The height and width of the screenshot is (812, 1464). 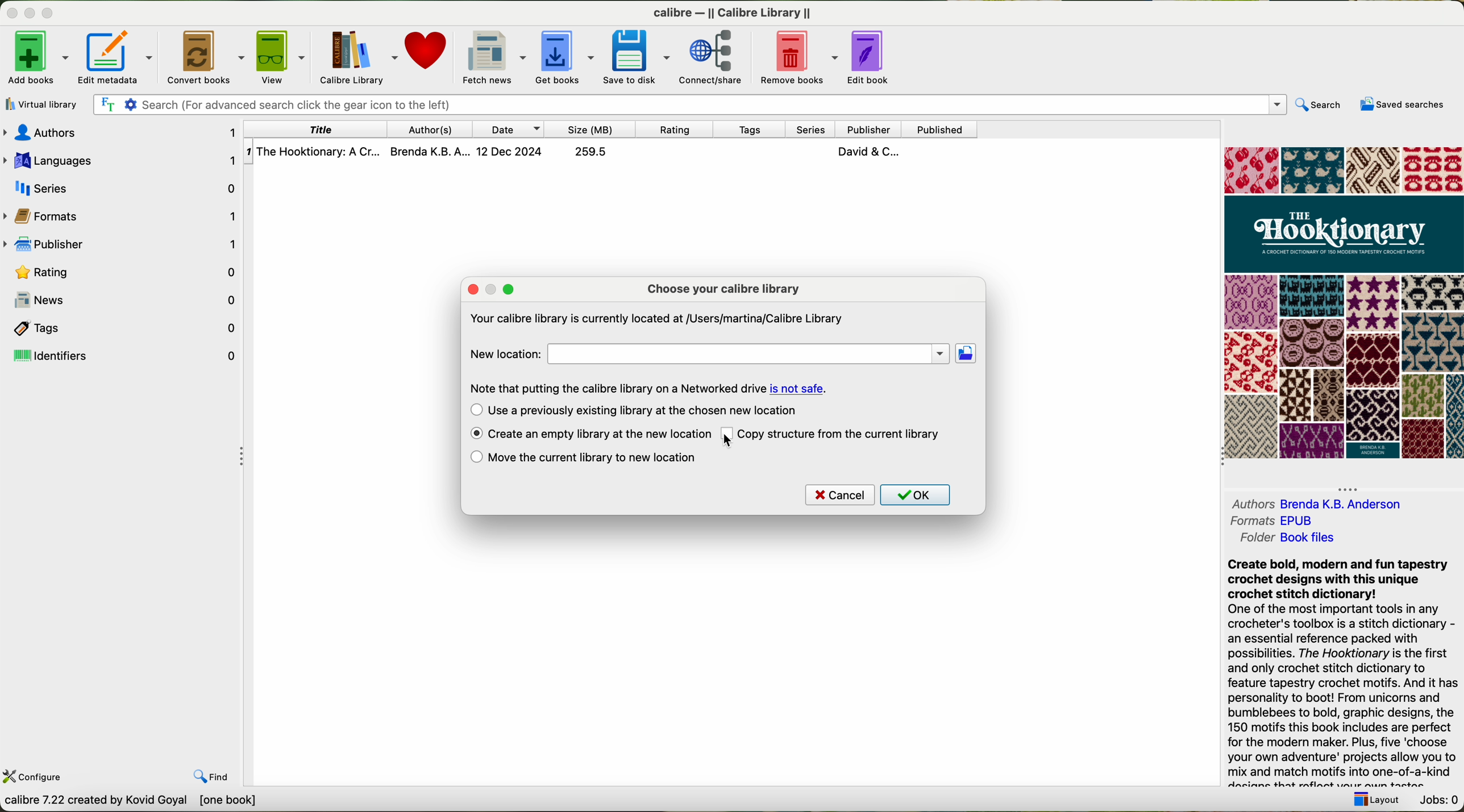 I want to click on authors, so click(x=435, y=129).